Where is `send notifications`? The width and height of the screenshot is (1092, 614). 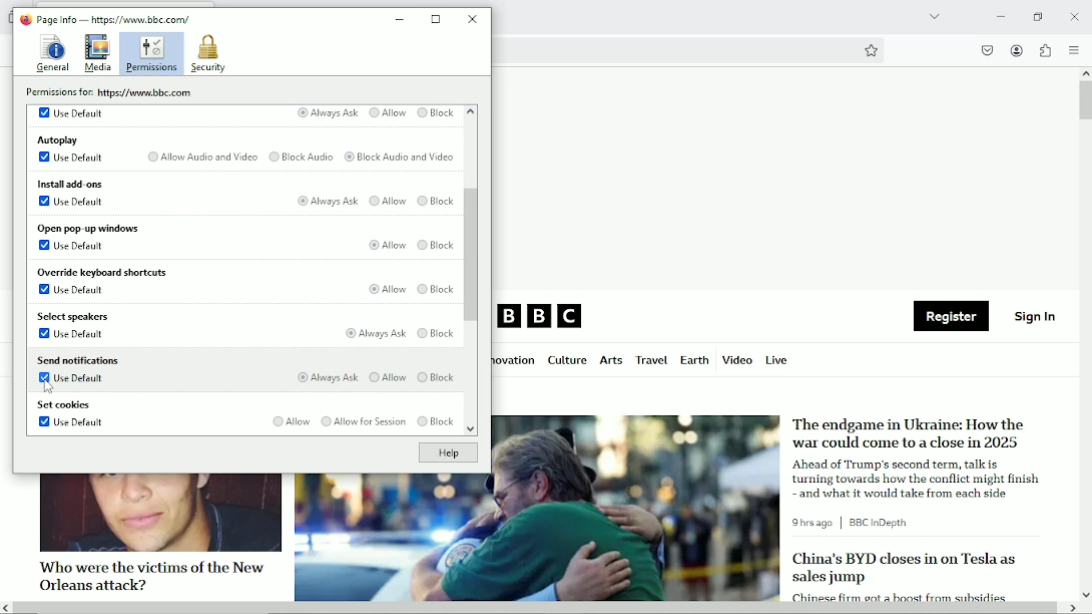 send notifications is located at coordinates (77, 359).